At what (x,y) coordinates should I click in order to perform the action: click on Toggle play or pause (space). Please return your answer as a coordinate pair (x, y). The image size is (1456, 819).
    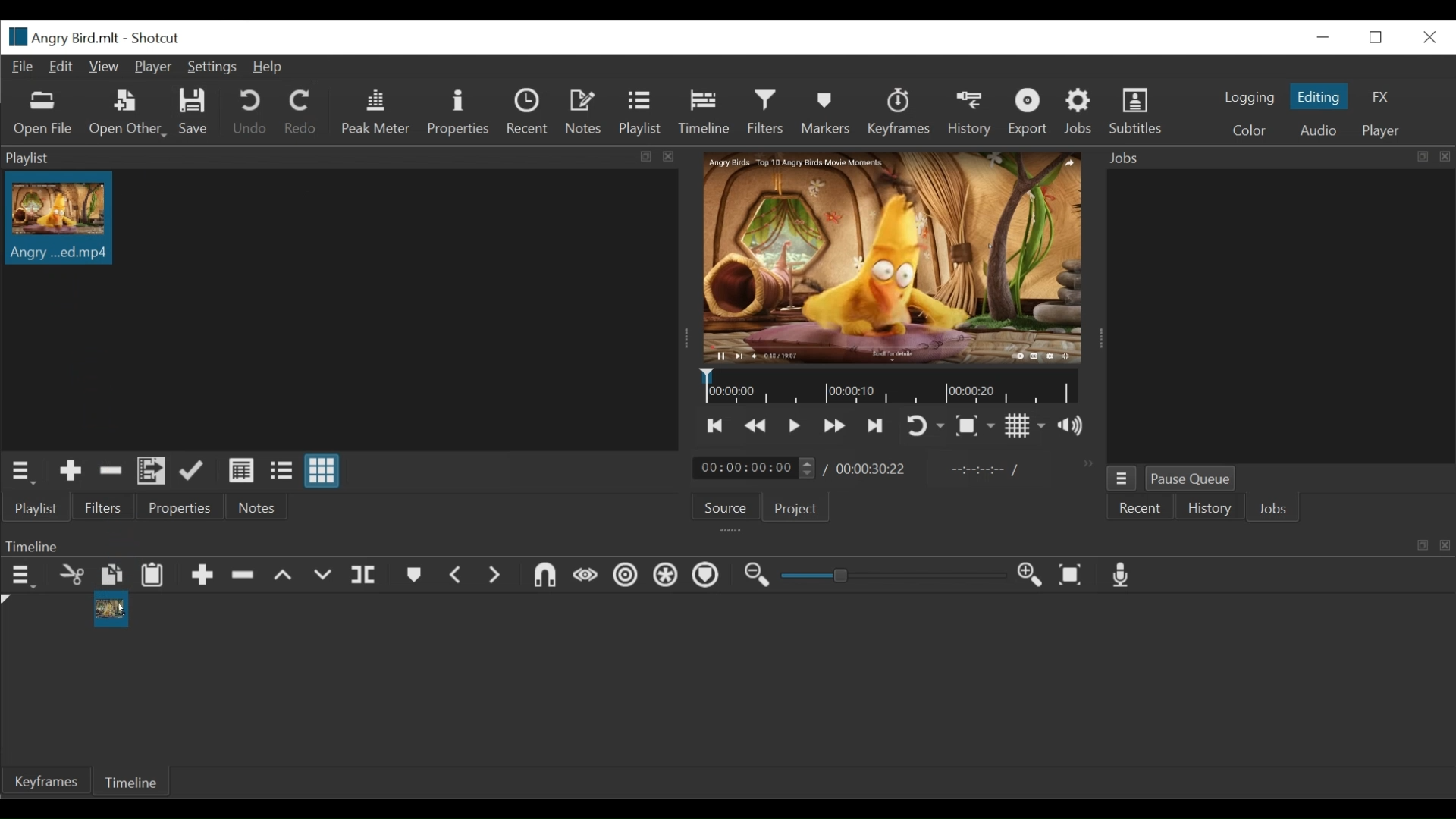
    Looking at the image, I should click on (793, 425).